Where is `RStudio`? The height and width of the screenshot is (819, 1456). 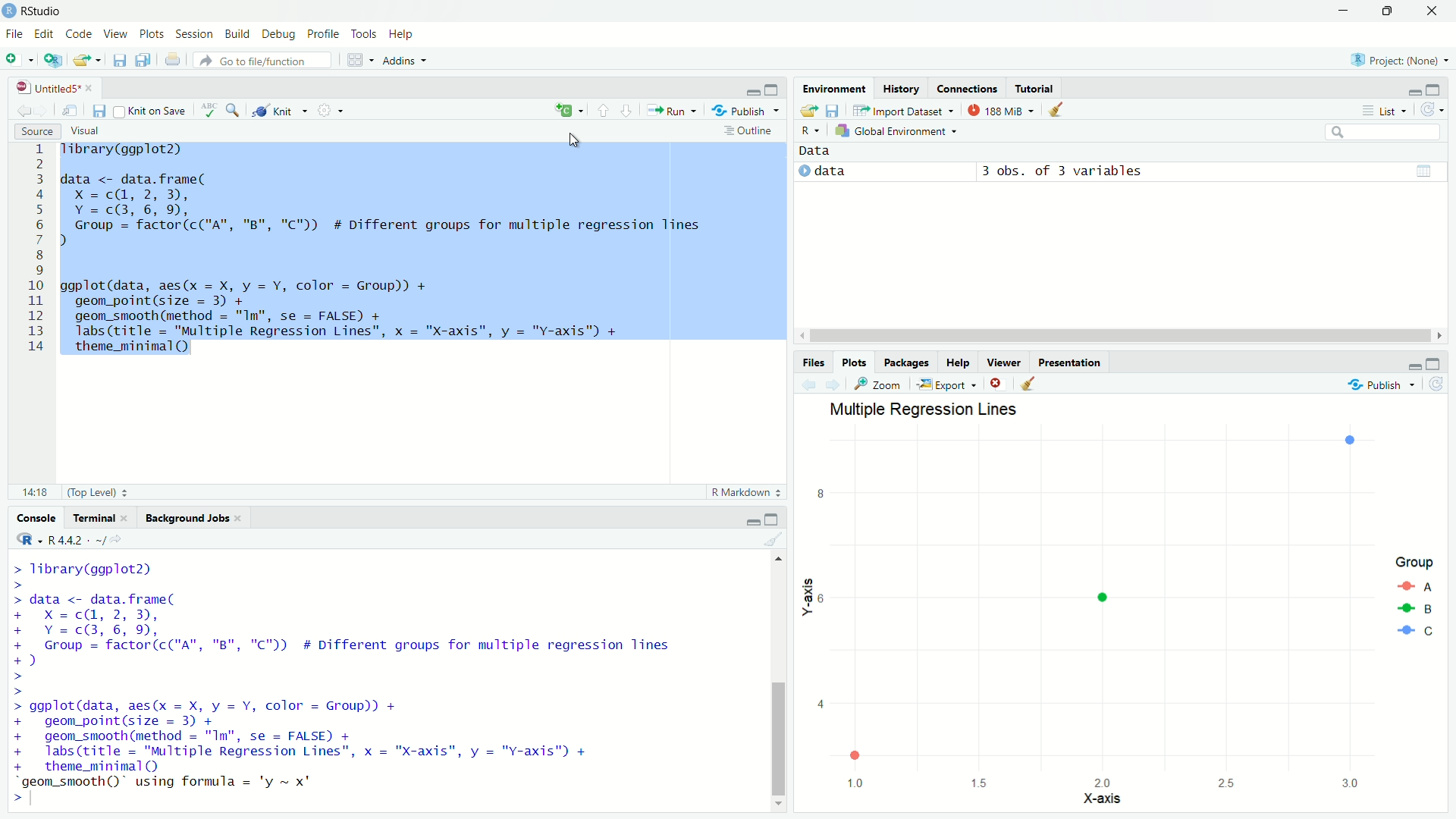
RStudio is located at coordinates (36, 11).